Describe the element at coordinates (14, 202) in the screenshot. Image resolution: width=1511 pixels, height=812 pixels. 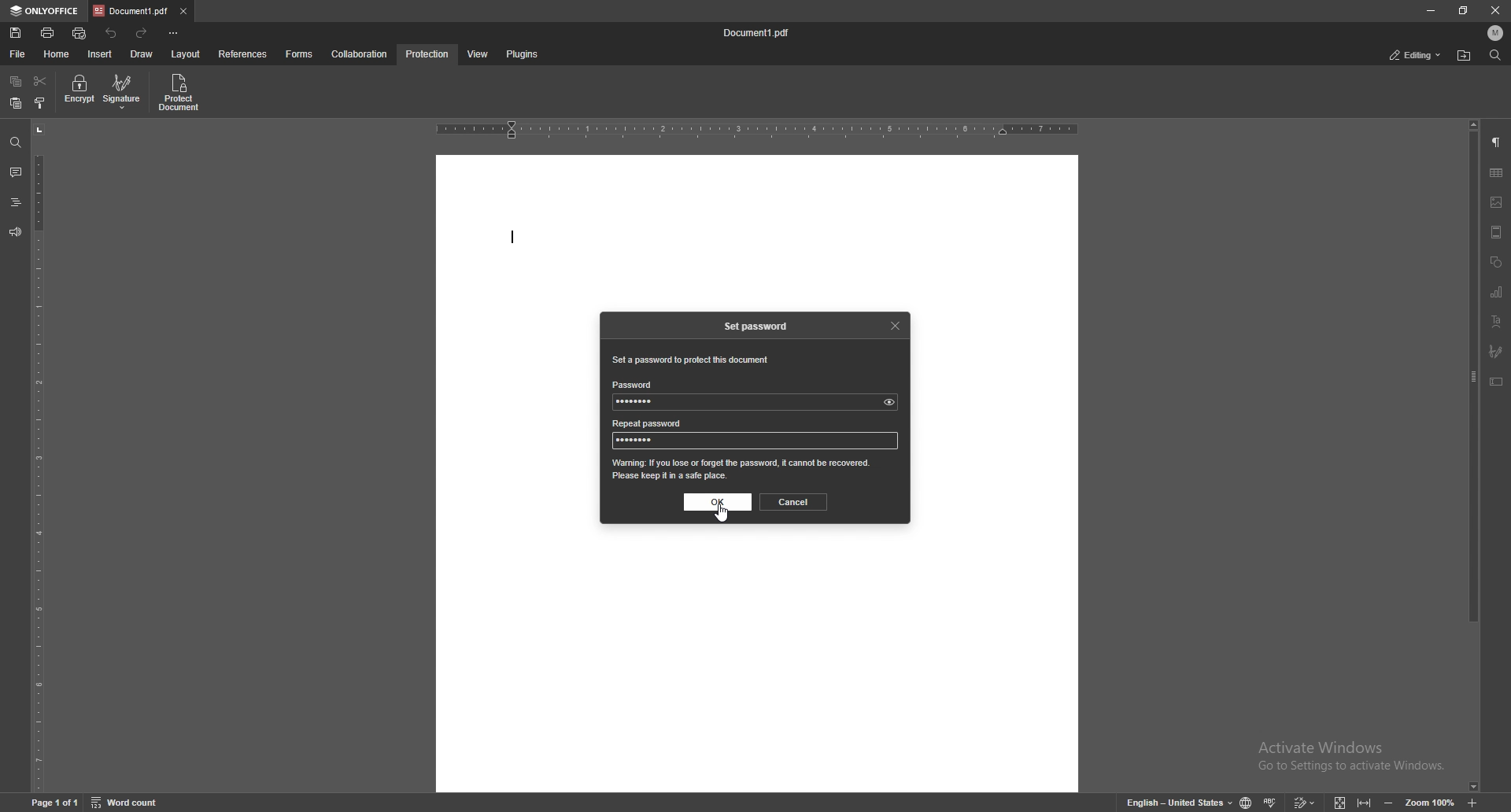
I see `headings` at that location.